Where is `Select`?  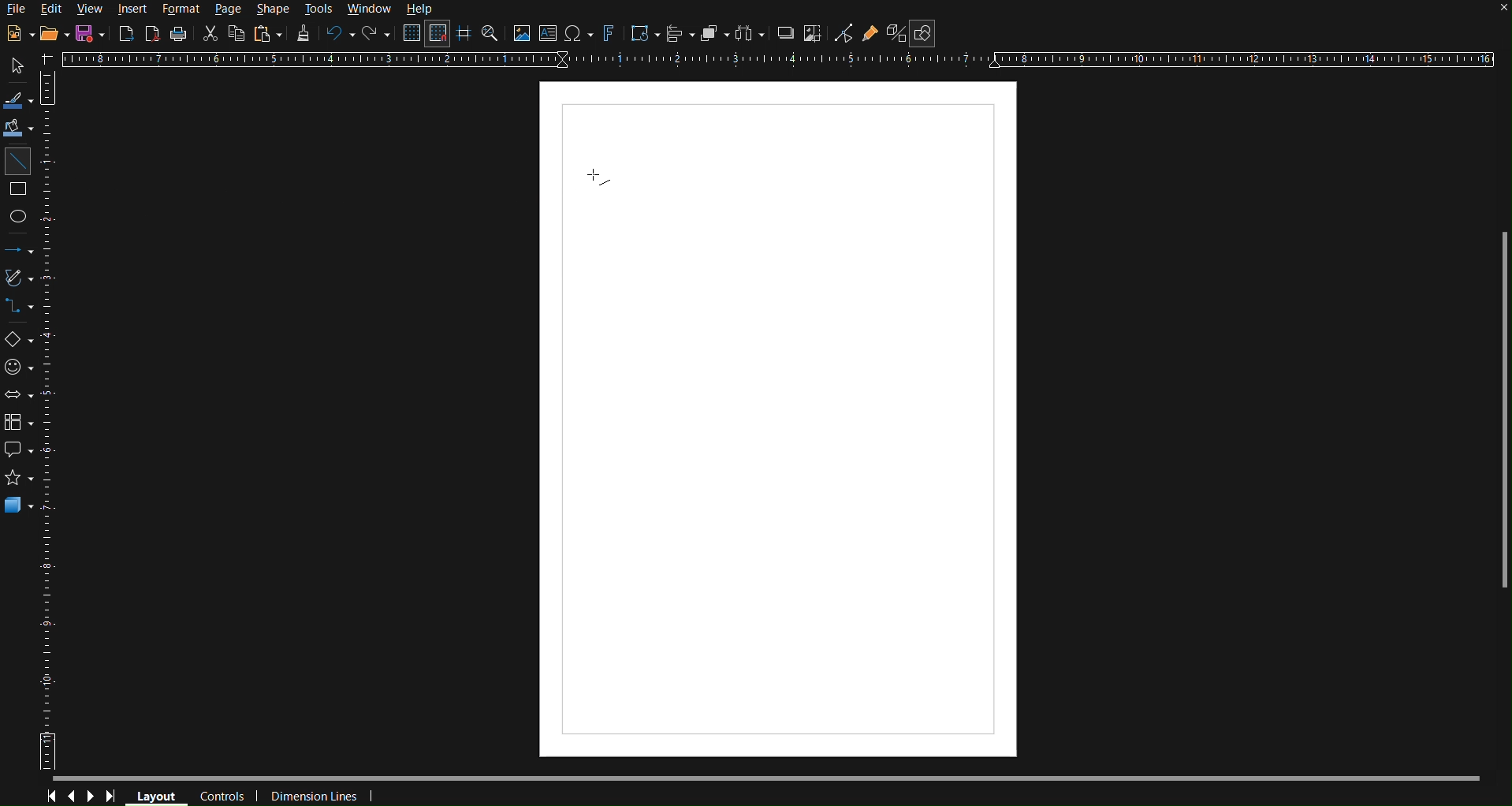
Select is located at coordinates (19, 67).